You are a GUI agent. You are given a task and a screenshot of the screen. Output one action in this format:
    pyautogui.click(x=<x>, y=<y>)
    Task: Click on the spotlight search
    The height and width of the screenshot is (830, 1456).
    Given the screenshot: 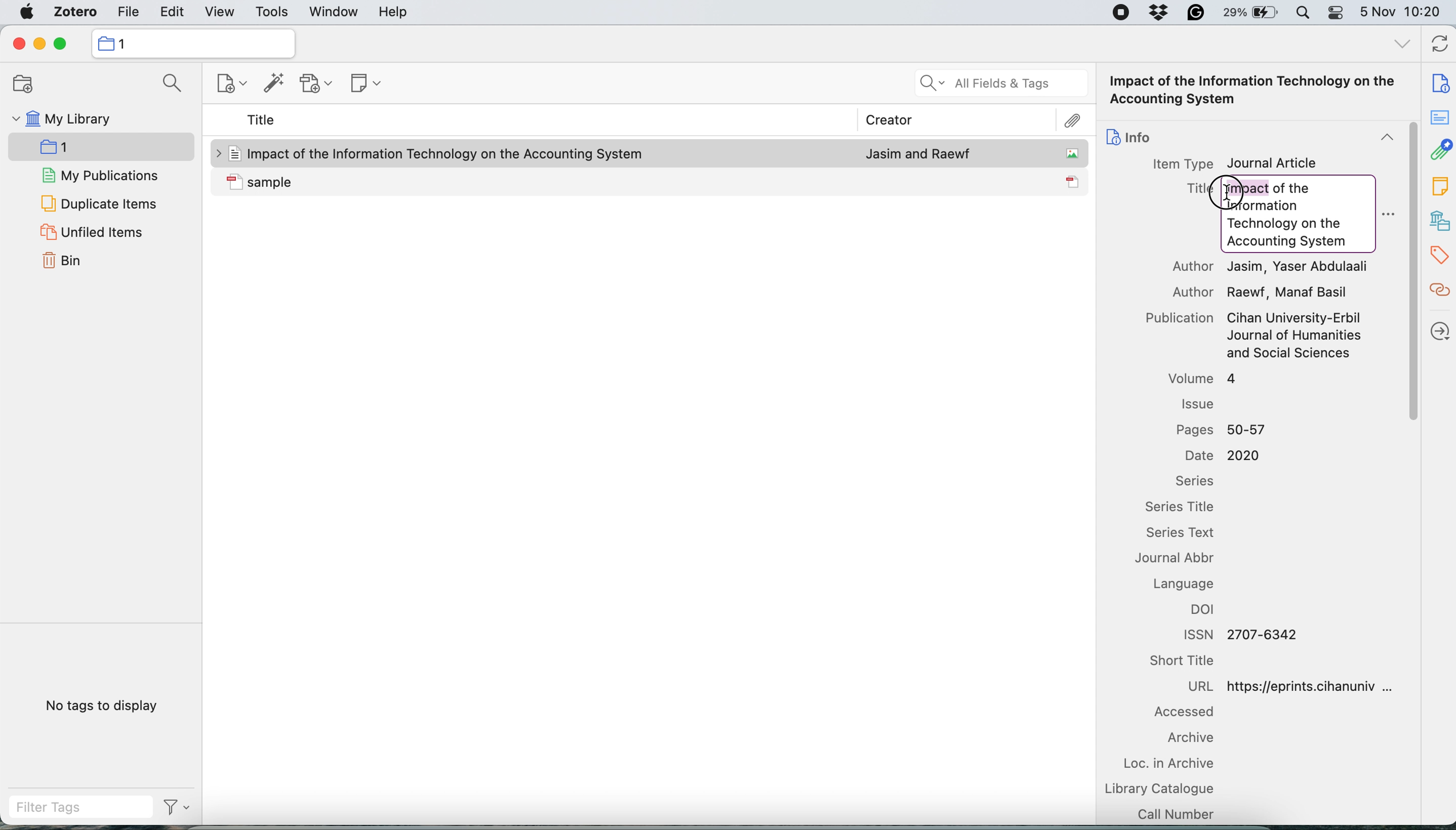 What is the action you would take?
    pyautogui.click(x=1306, y=14)
    